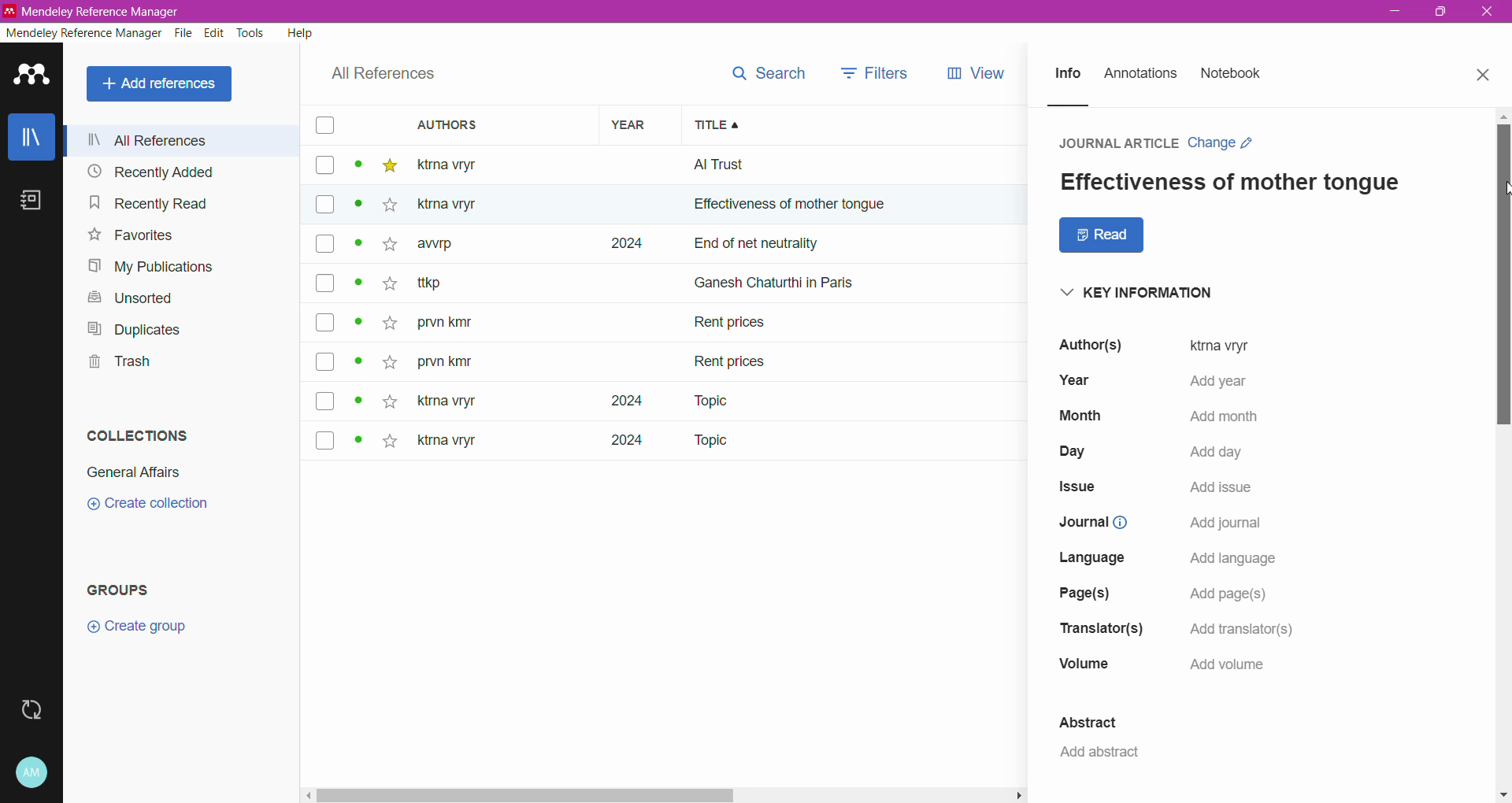  Describe the element at coordinates (1232, 74) in the screenshot. I see `Notebook` at that location.